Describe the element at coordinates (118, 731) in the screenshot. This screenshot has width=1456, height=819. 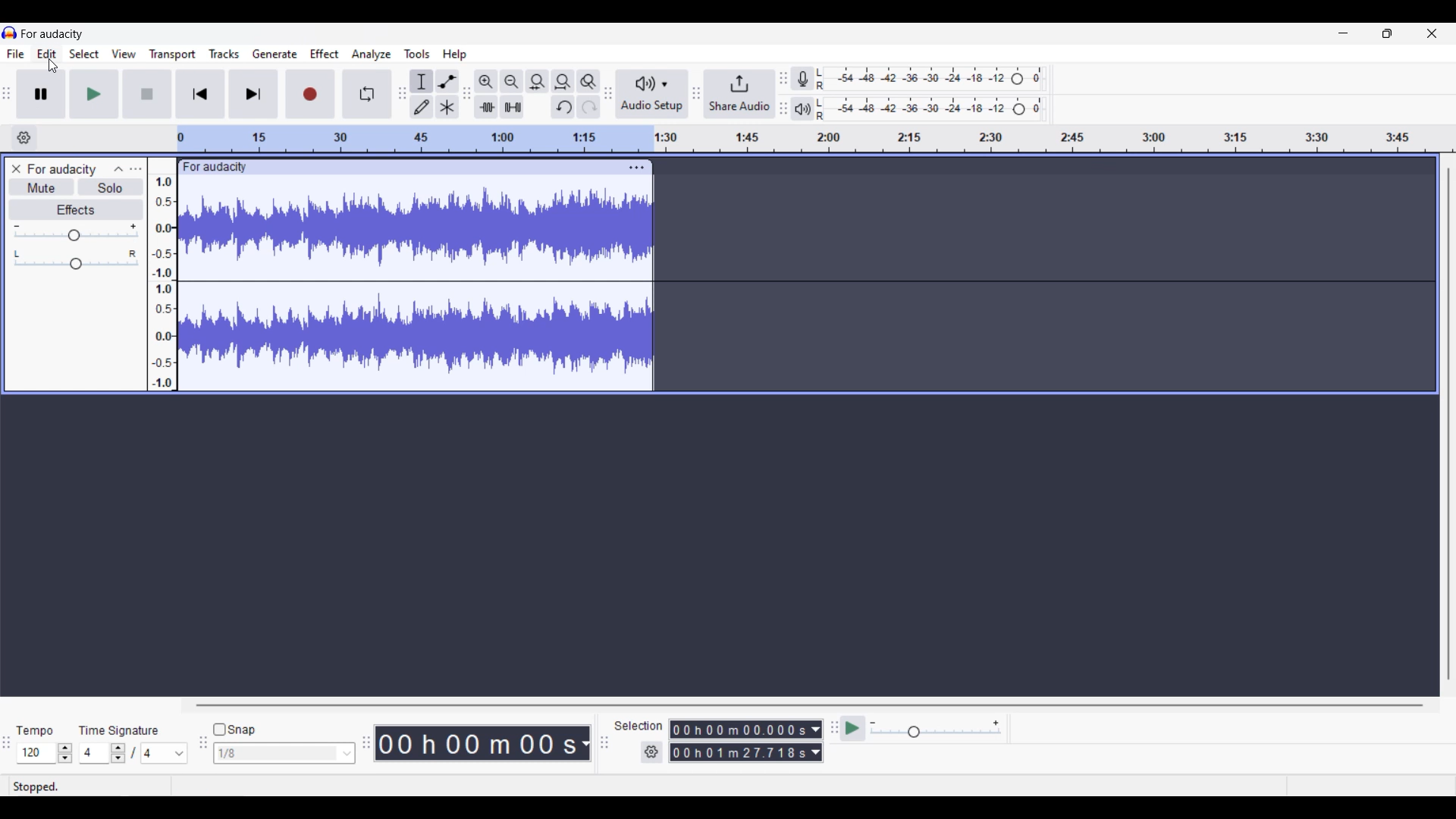
I see `time signature` at that location.